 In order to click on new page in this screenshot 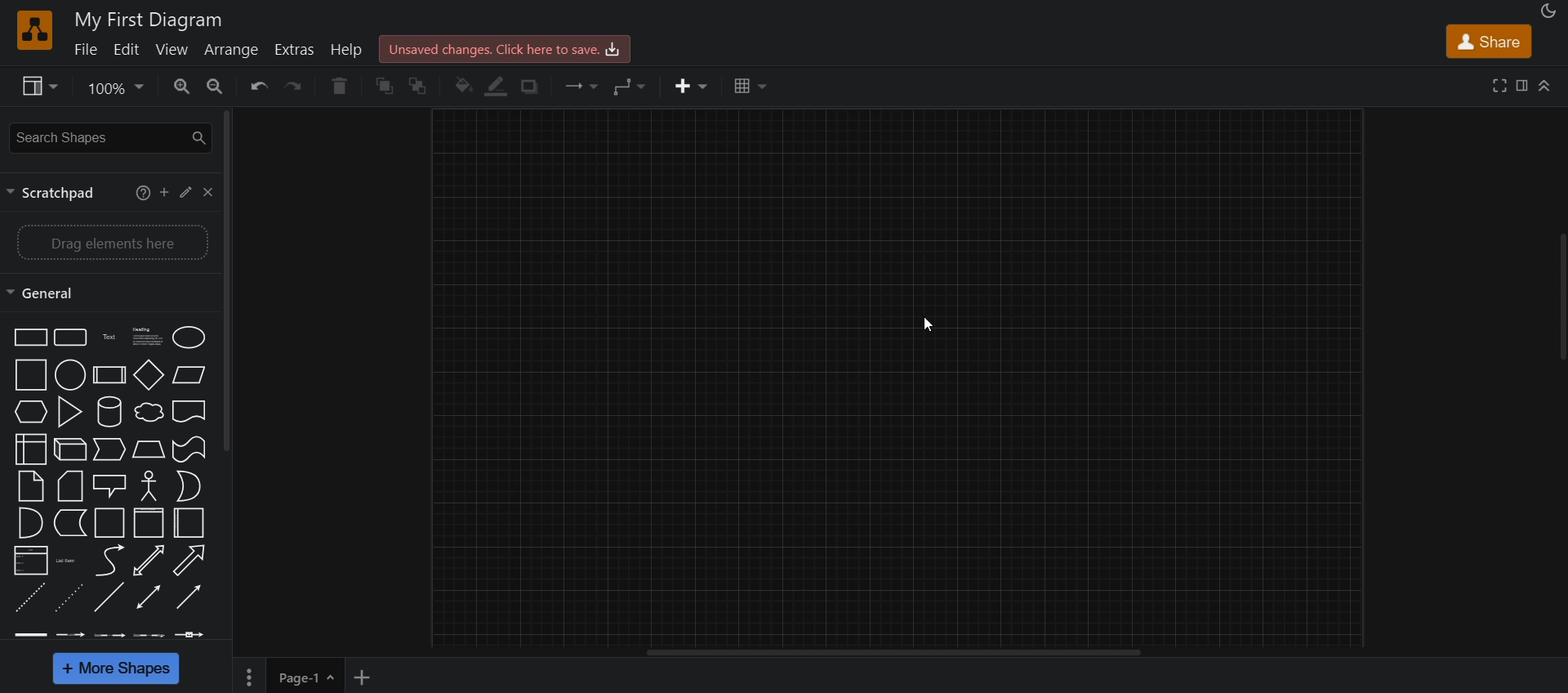, I will do `click(367, 675)`.